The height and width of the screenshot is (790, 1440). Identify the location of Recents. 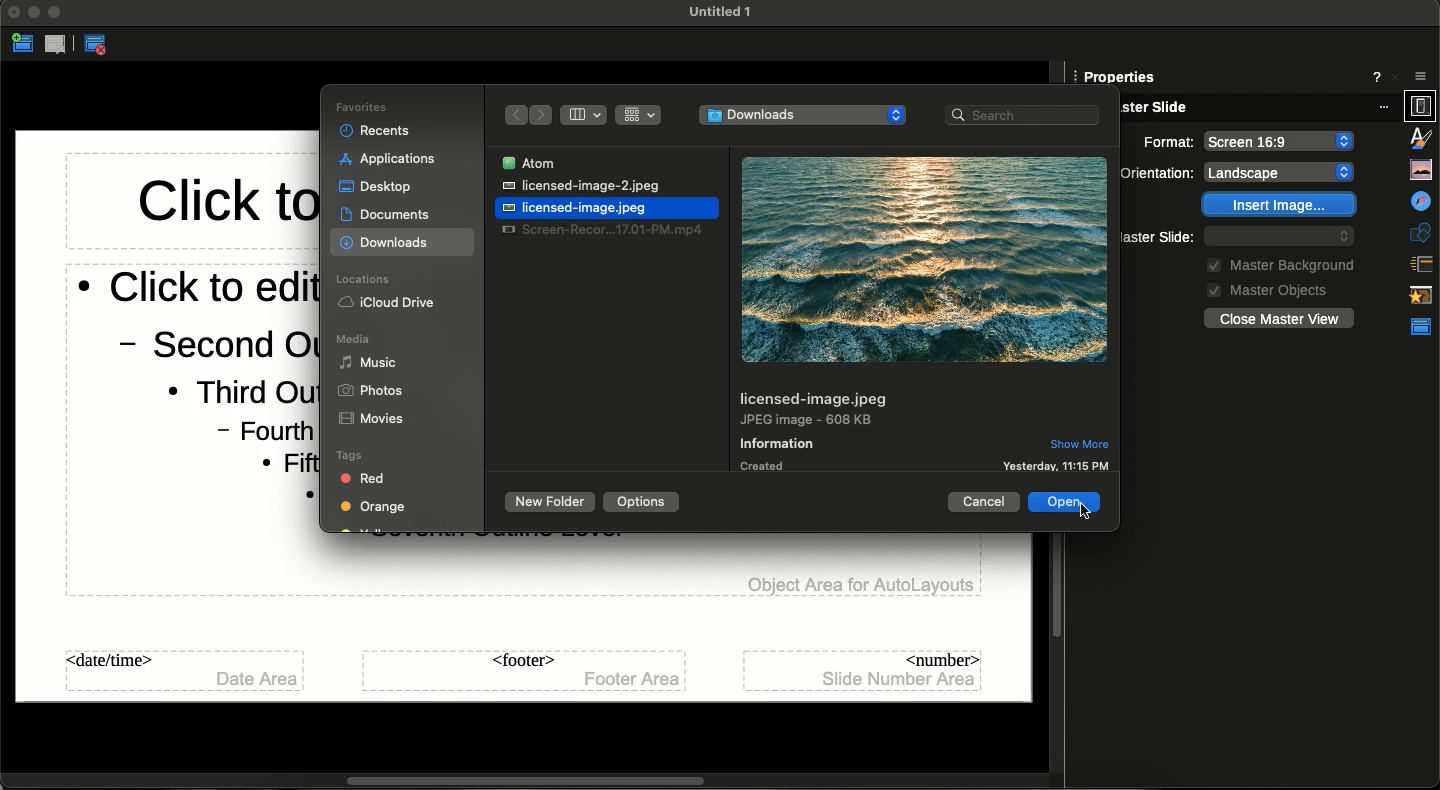
(376, 131).